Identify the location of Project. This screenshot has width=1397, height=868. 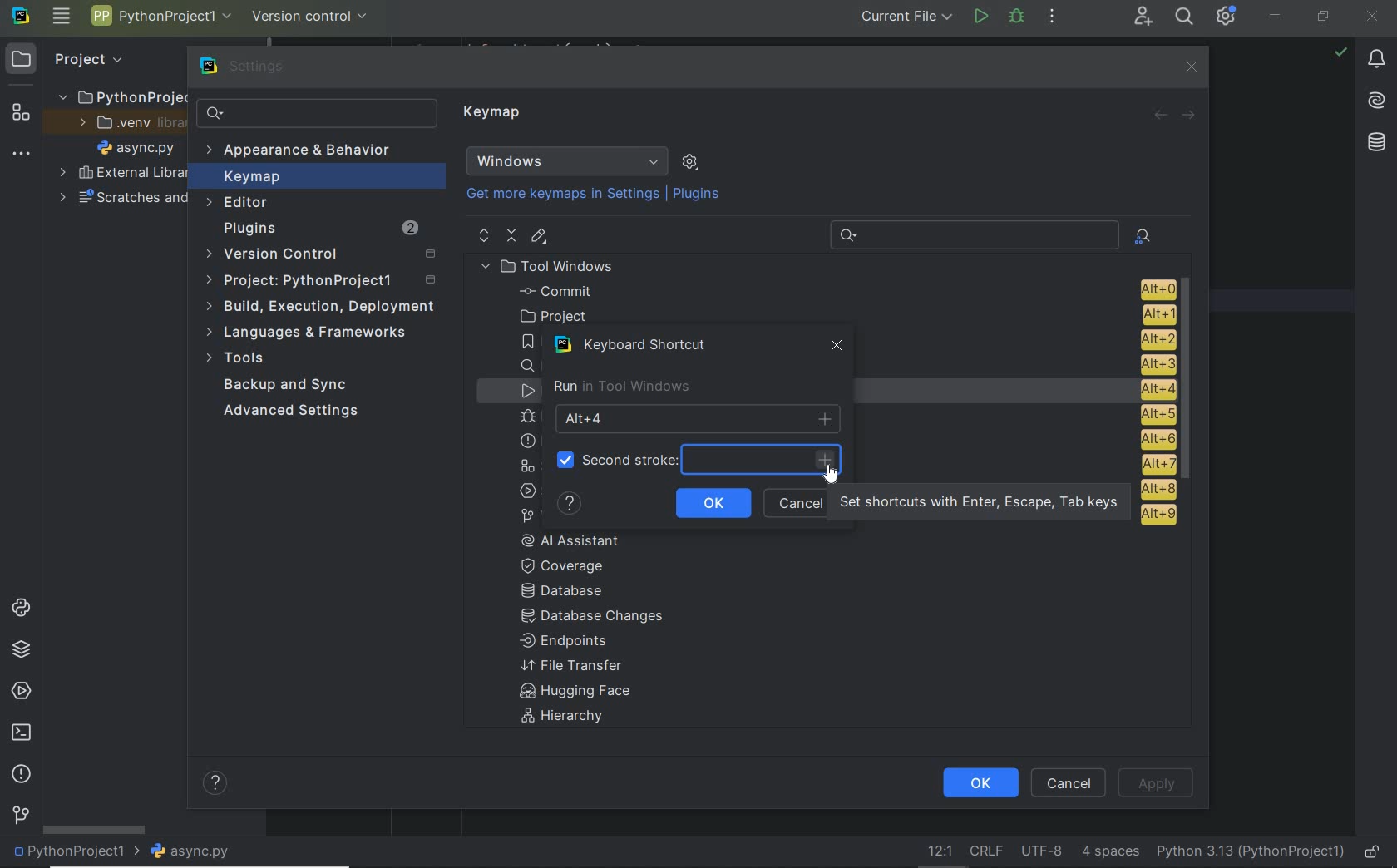
(324, 281).